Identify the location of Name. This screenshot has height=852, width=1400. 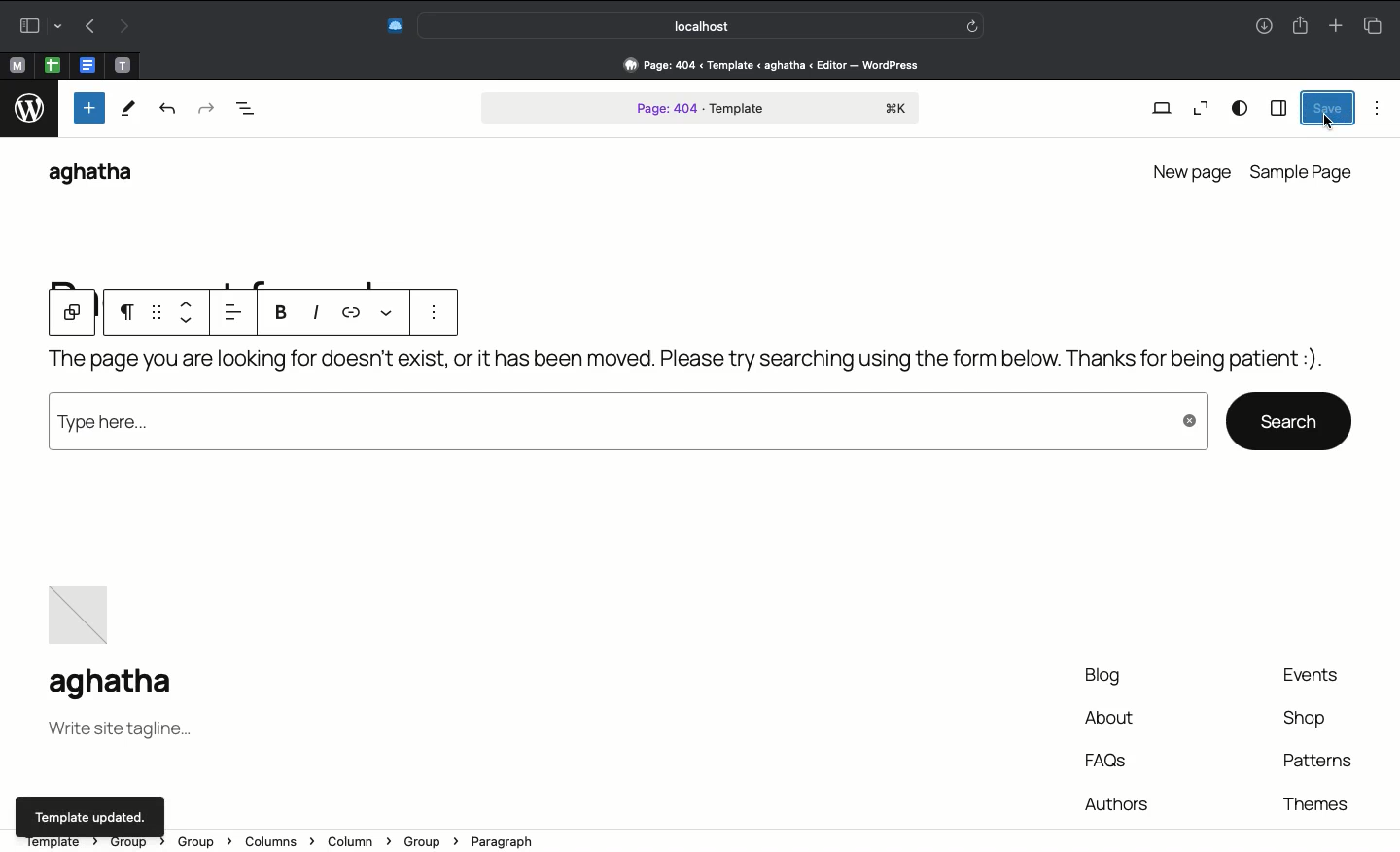
(118, 685).